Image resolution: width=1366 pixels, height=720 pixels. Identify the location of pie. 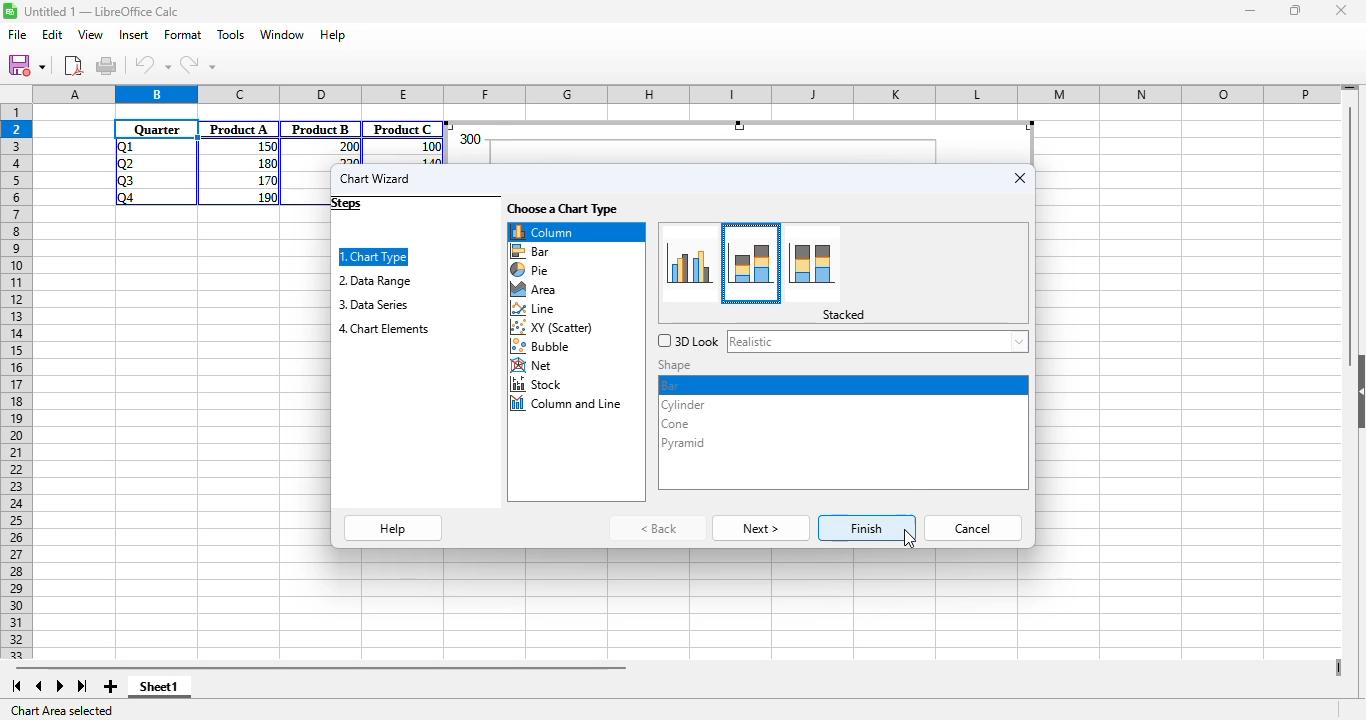
(530, 270).